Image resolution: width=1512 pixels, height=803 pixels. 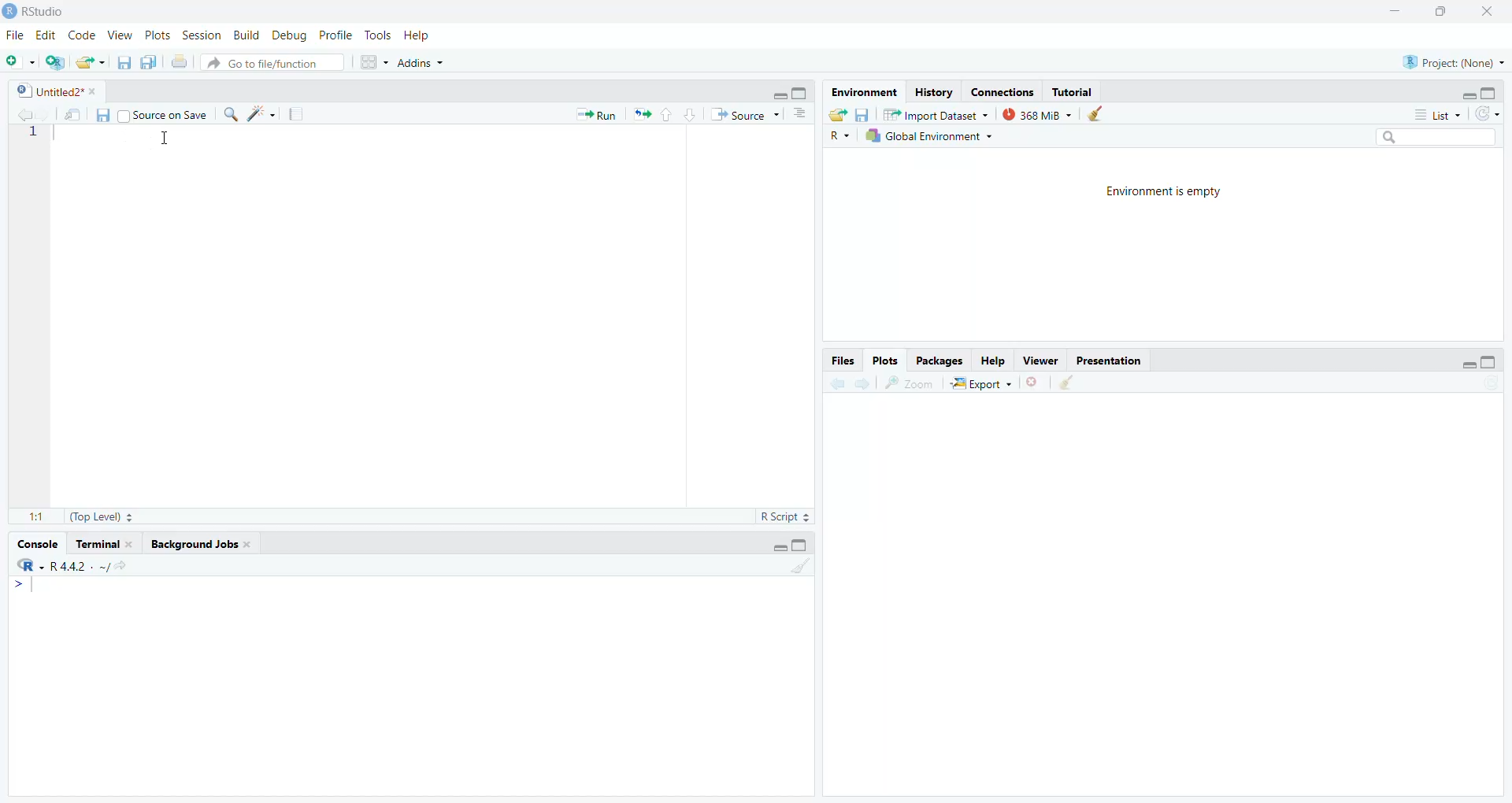 I want to click on close, so click(x=1494, y=11).